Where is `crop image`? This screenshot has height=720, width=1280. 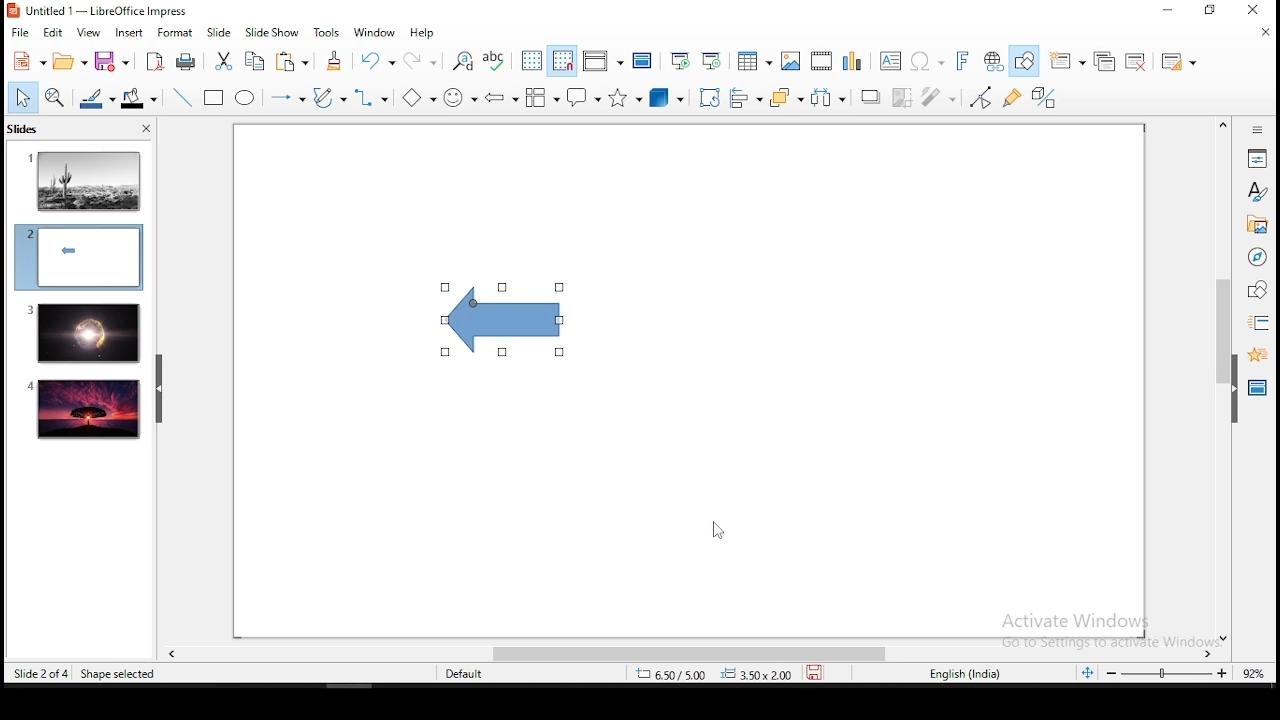
crop image is located at coordinates (902, 97).